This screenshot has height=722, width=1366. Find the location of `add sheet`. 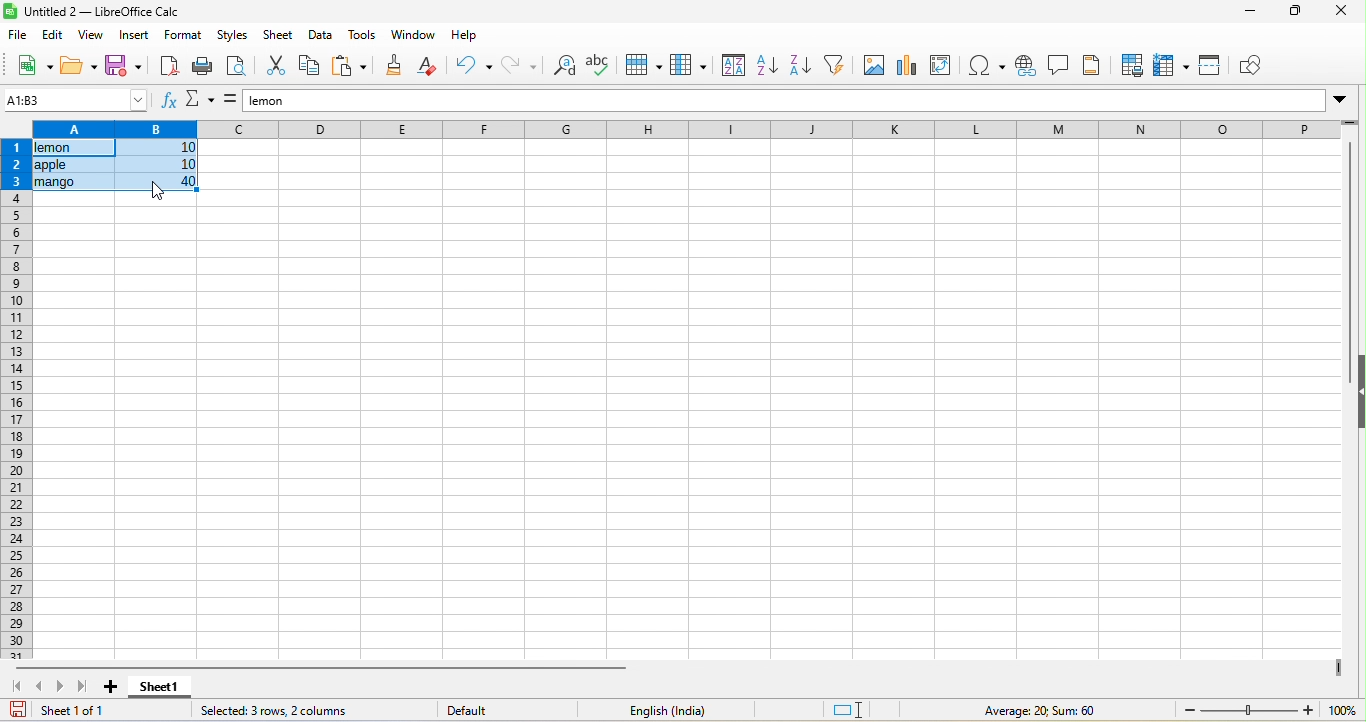

add sheet is located at coordinates (106, 689).